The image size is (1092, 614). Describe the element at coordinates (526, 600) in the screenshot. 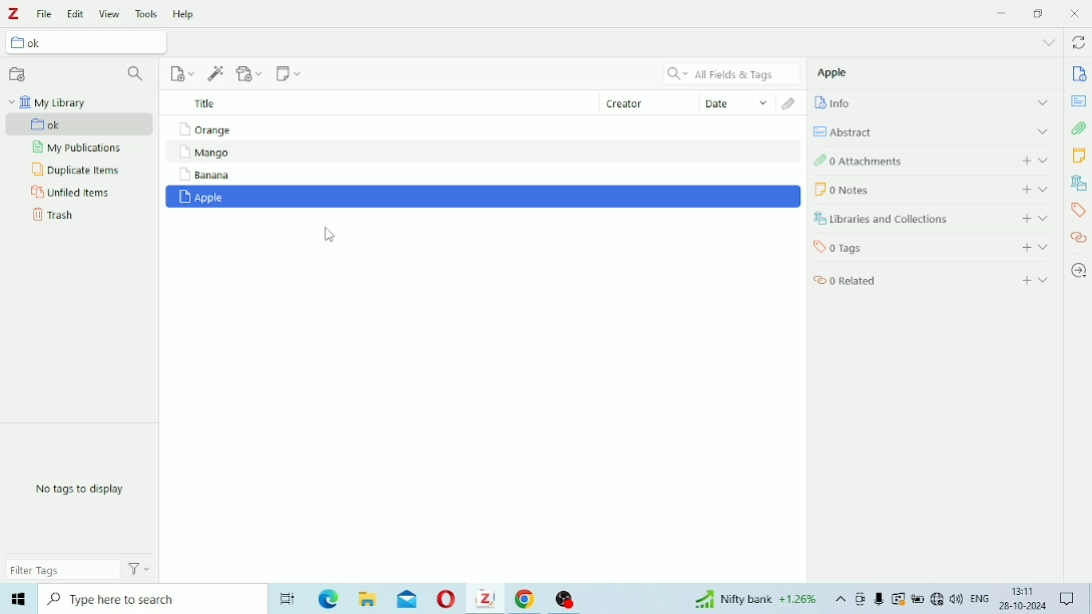

I see `Google Chrome` at that location.